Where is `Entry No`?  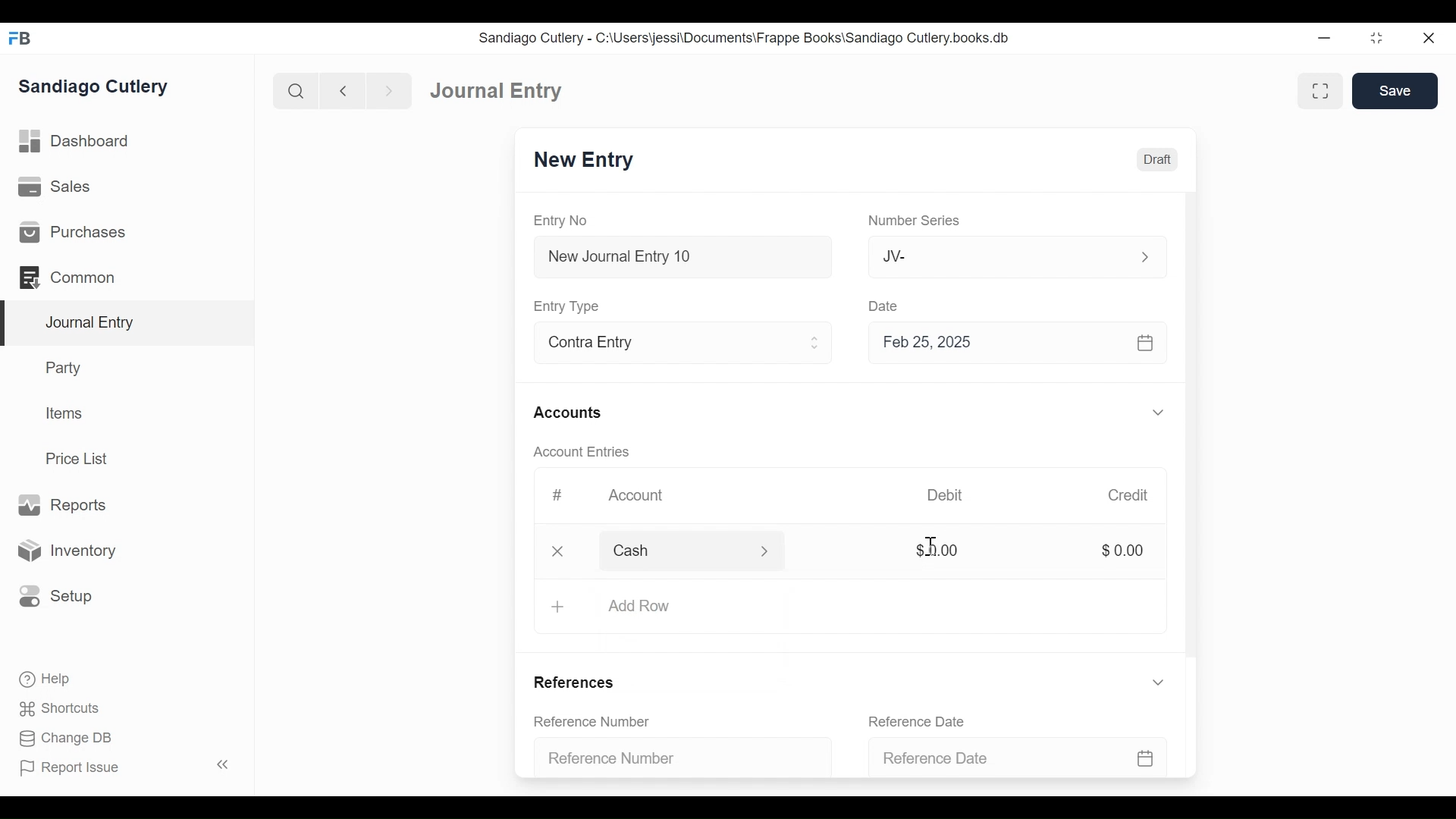
Entry No is located at coordinates (565, 220).